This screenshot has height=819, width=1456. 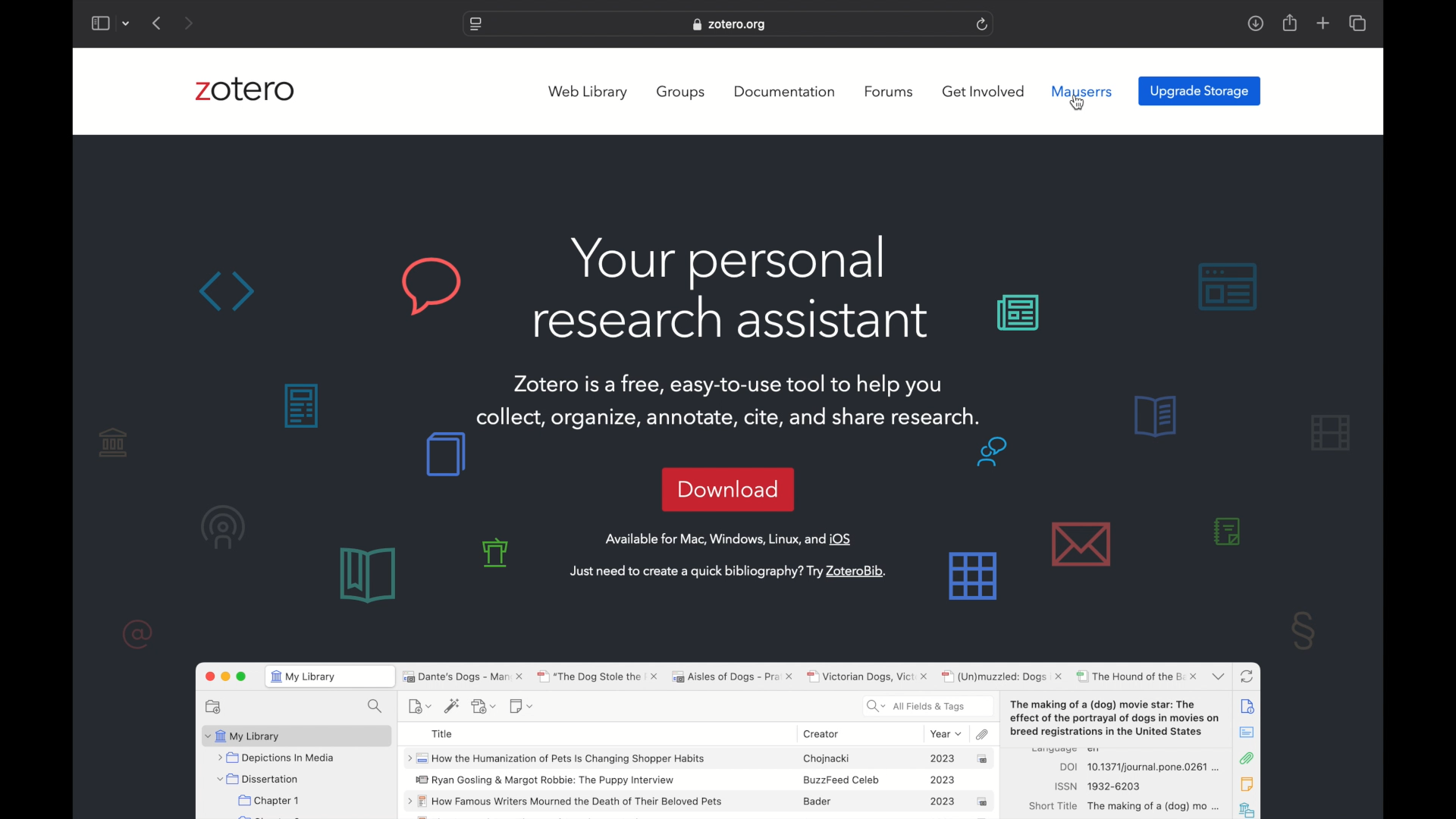 What do you see at coordinates (1357, 23) in the screenshot?
I see `show tab overview` at bounding box center [1357, 23].